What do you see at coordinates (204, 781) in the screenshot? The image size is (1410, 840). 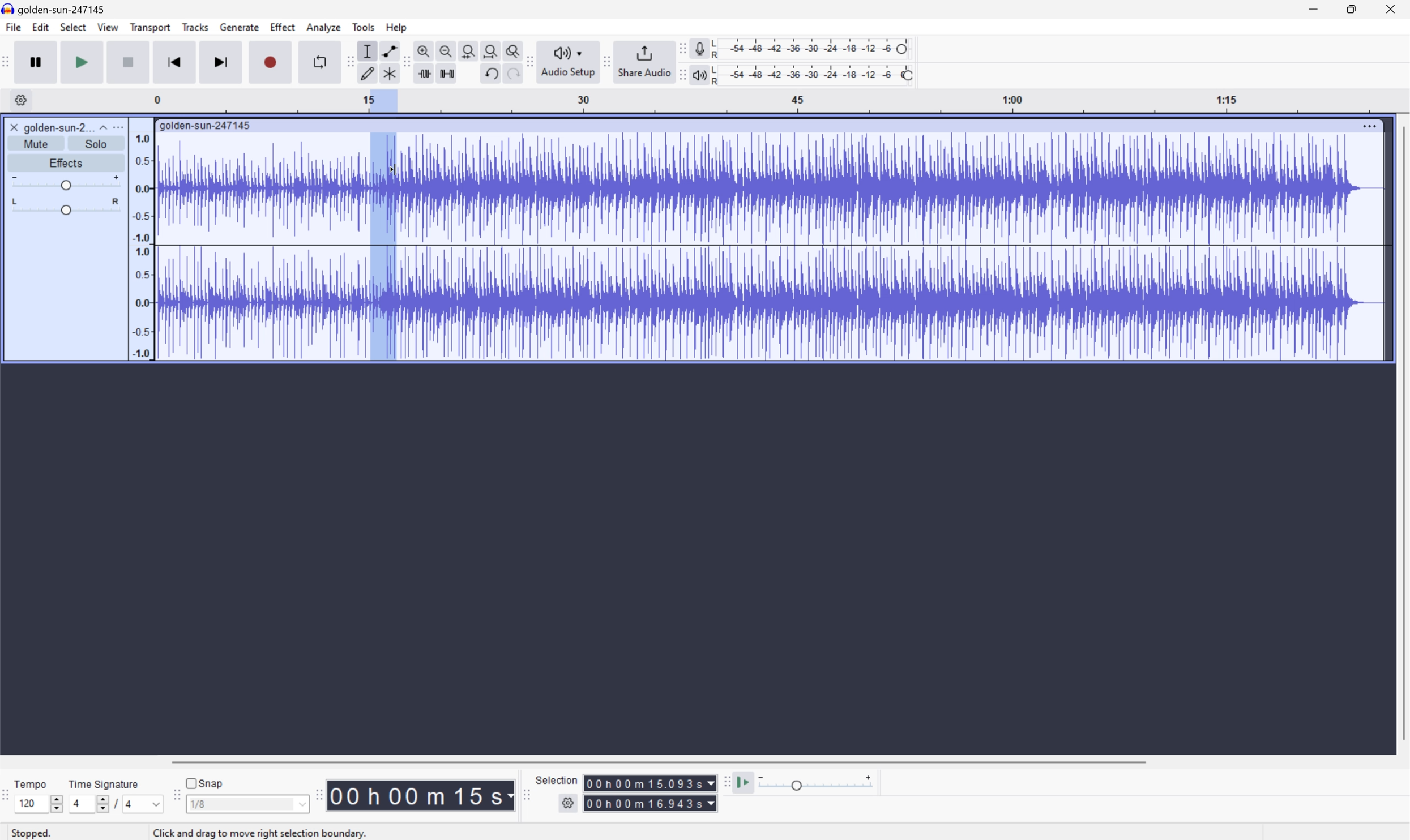 I see `Snap` at bounding box center [204, 781].